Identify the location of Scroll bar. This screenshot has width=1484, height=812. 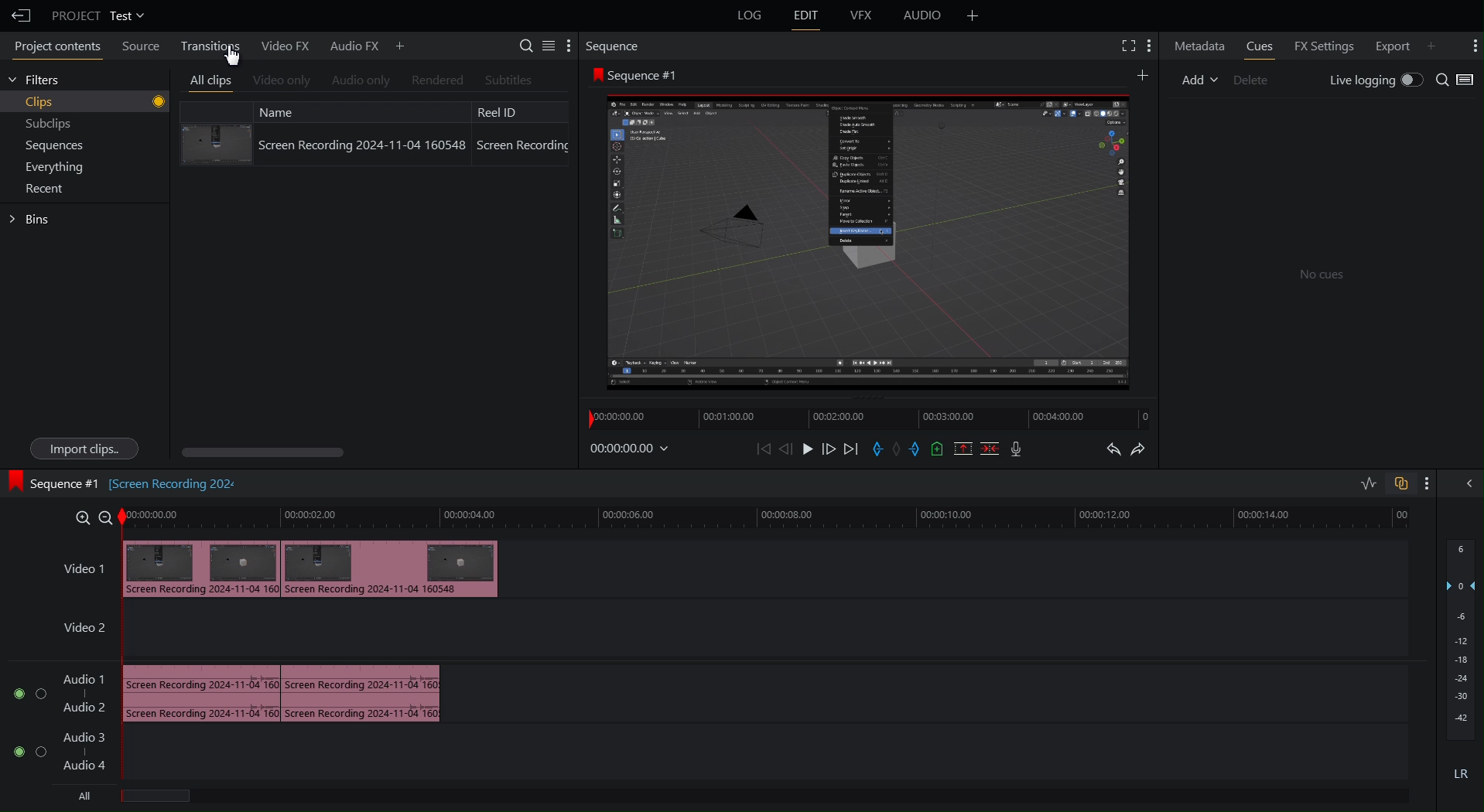
(288, 452).